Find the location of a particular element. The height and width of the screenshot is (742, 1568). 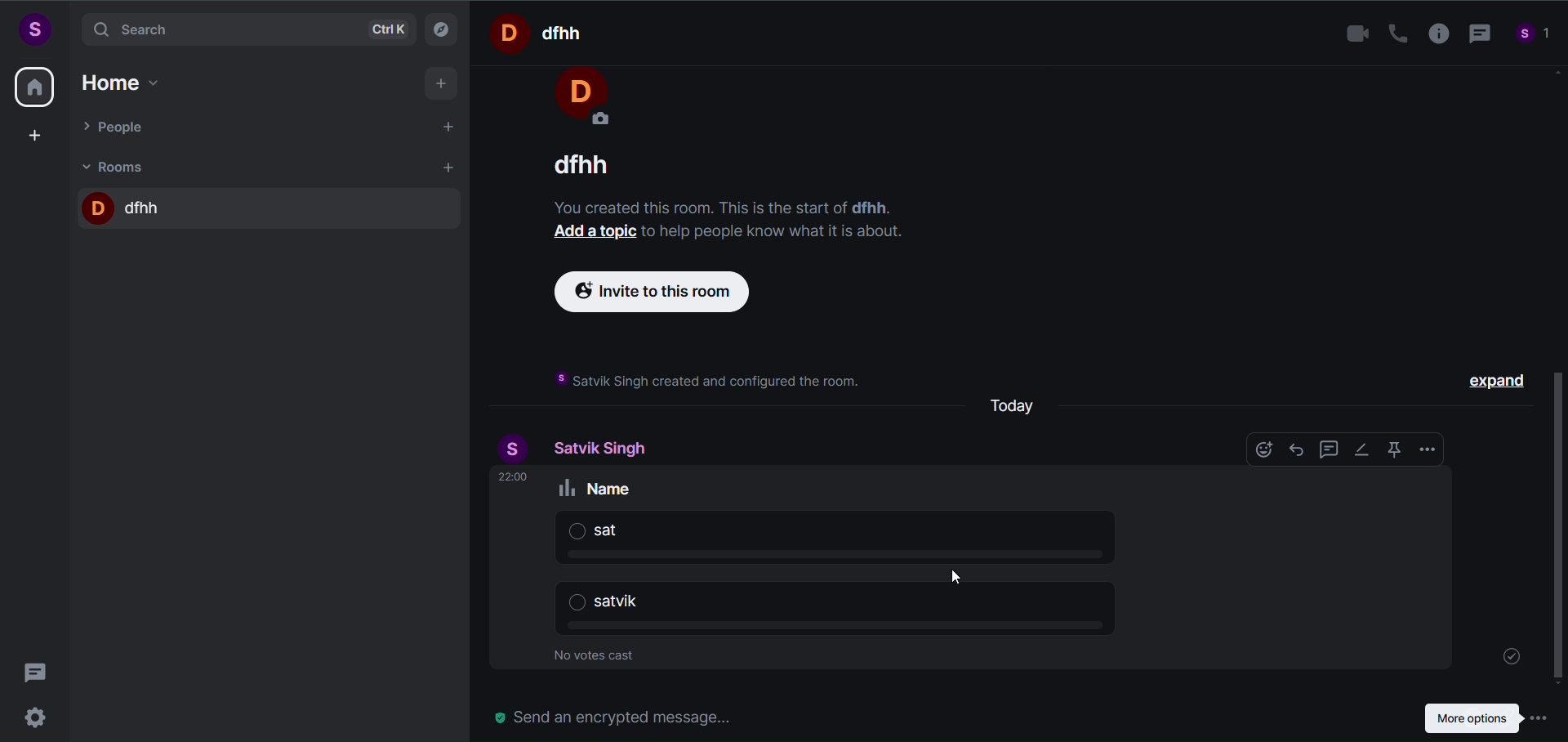

Text about group creation is located at coordinates (704, 379).